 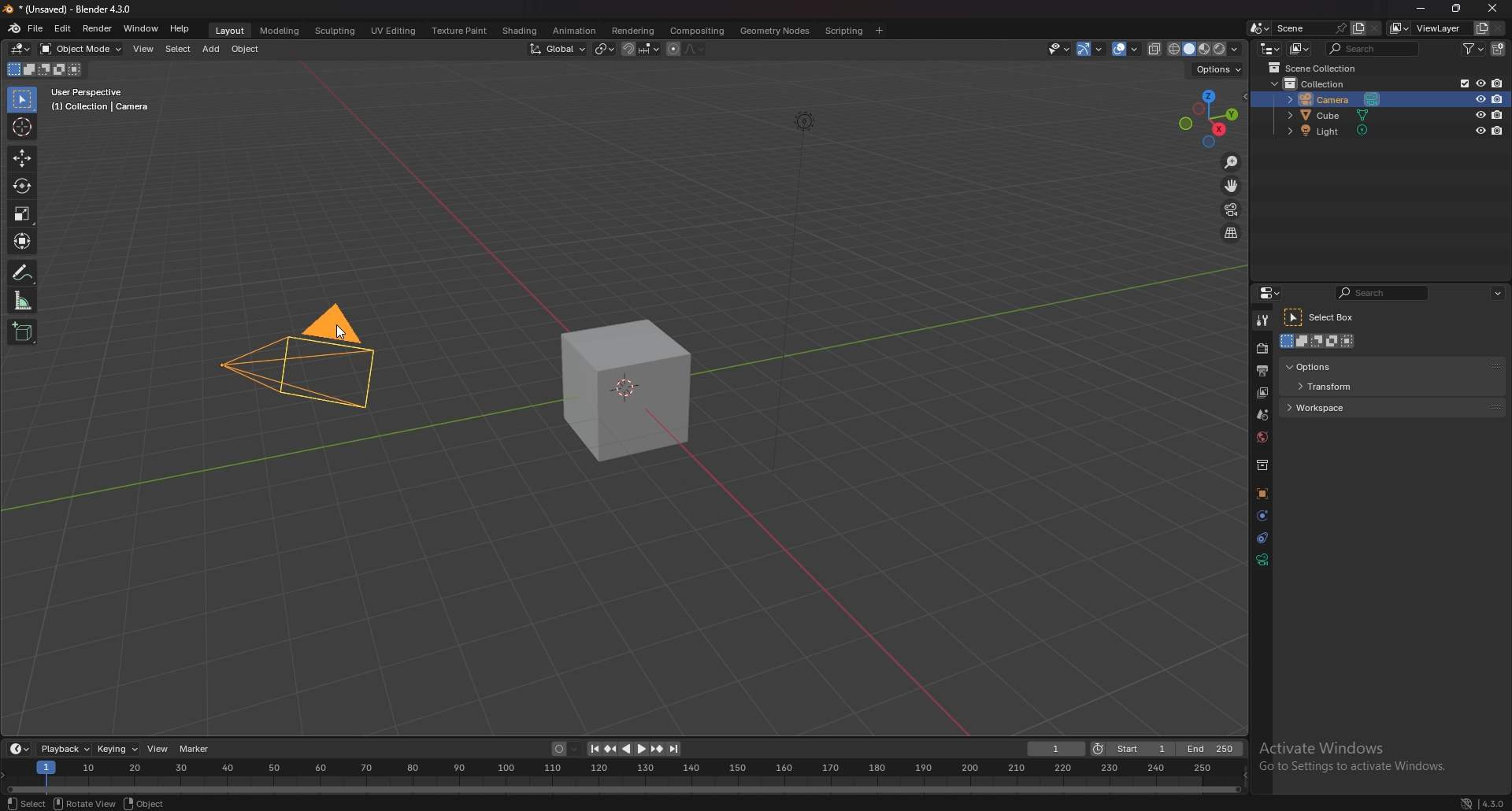 I want to click on disable in renders, so click(x=1498, y=114).